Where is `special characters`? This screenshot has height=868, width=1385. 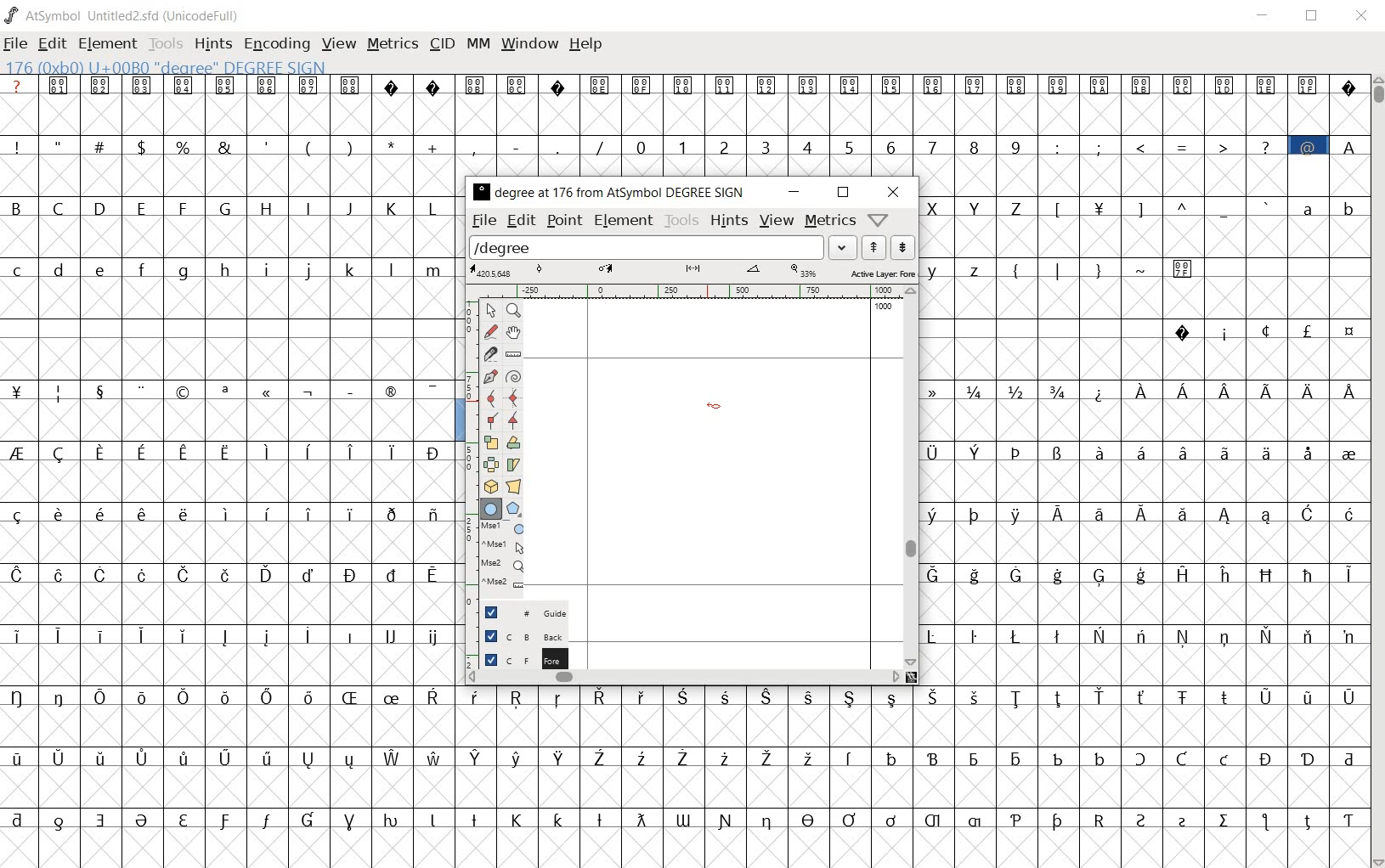 special characters is located at coordinates (307, 144).